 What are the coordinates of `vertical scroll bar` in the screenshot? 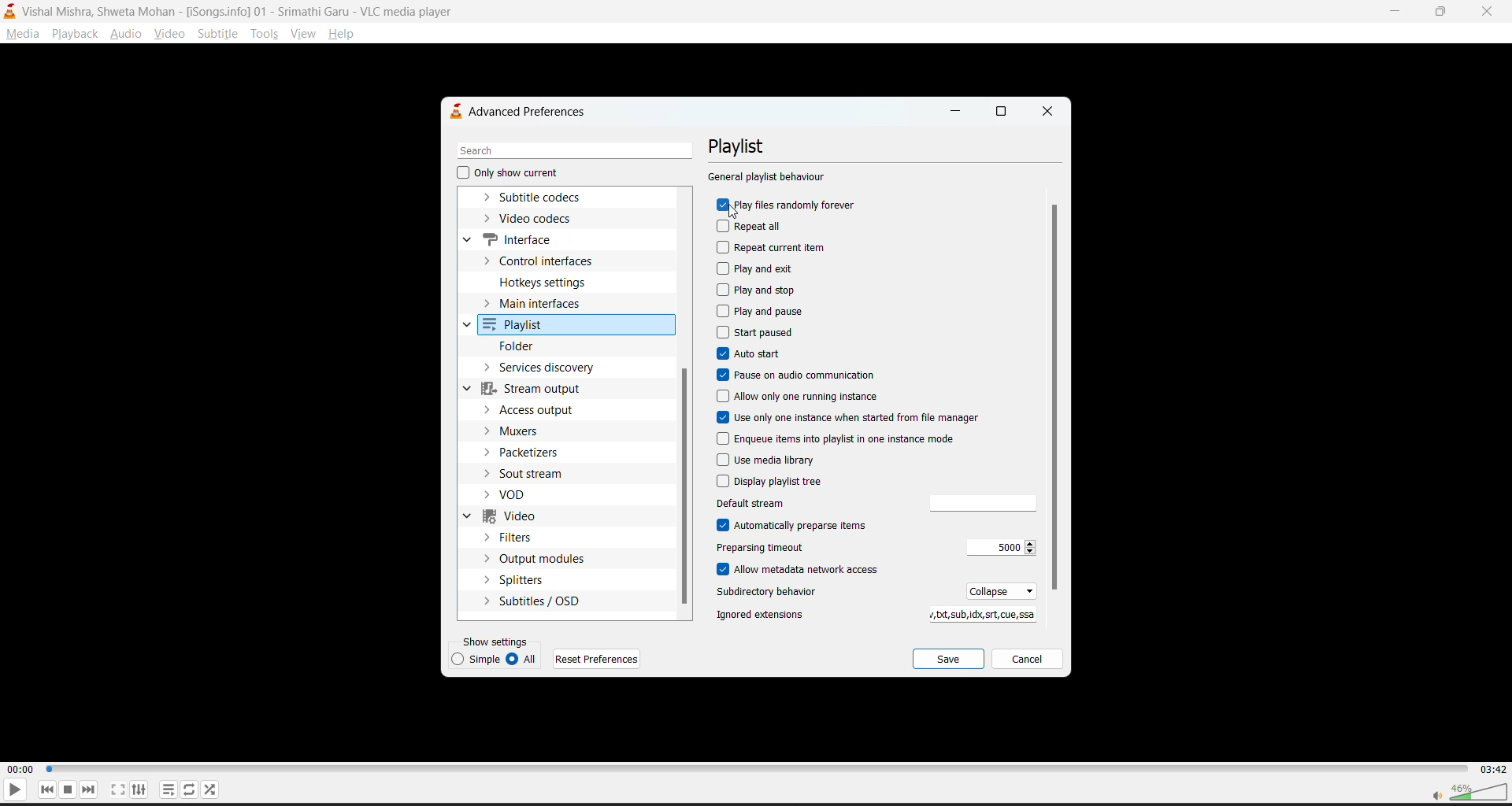 It's located at (1058, 393).